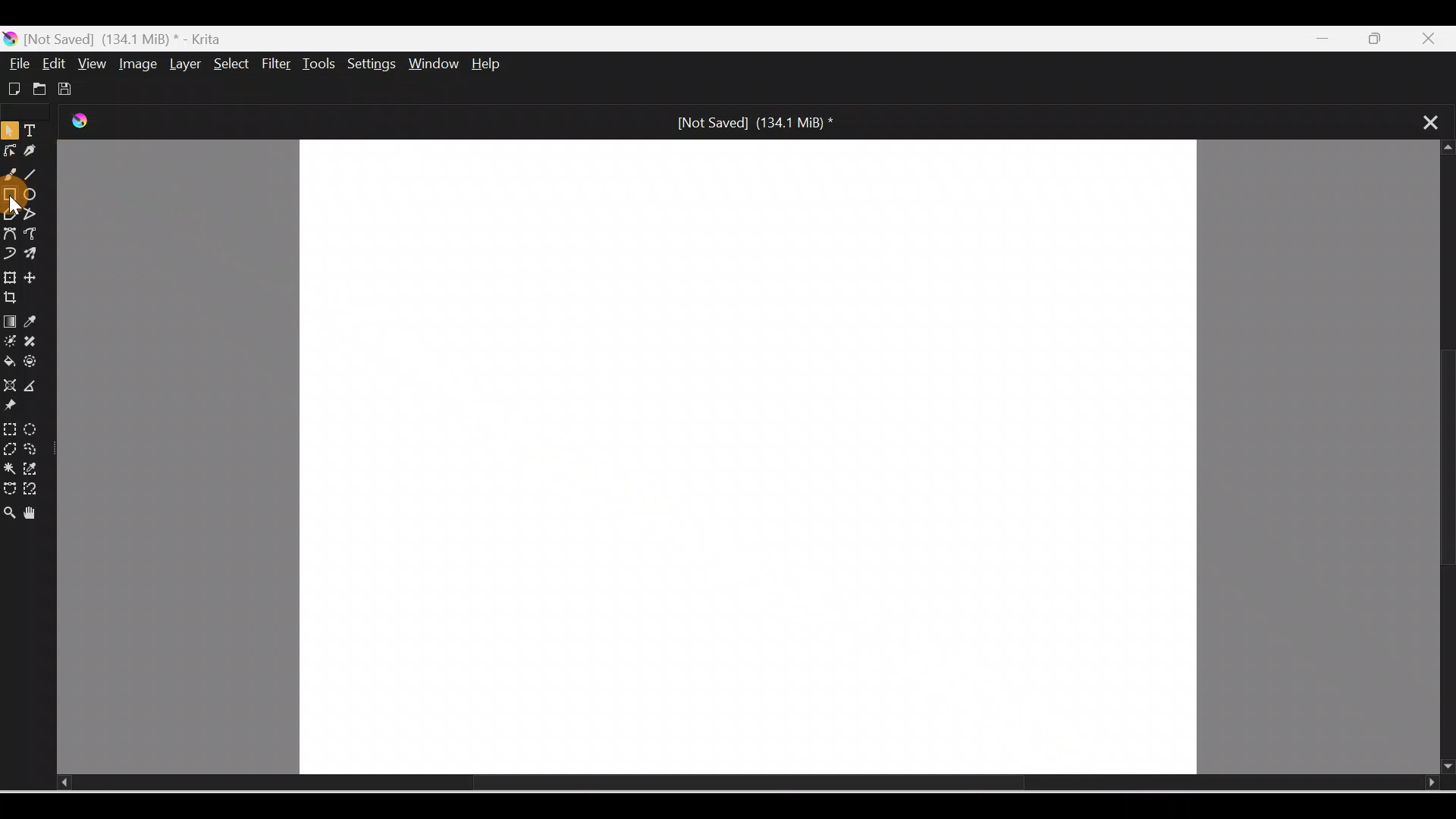 This screenshot has width=1456, height=819. What do you see at coordinates (9, 133) in the screenshot?
I see `Select shapes tool` at bounding box center [9, 133].